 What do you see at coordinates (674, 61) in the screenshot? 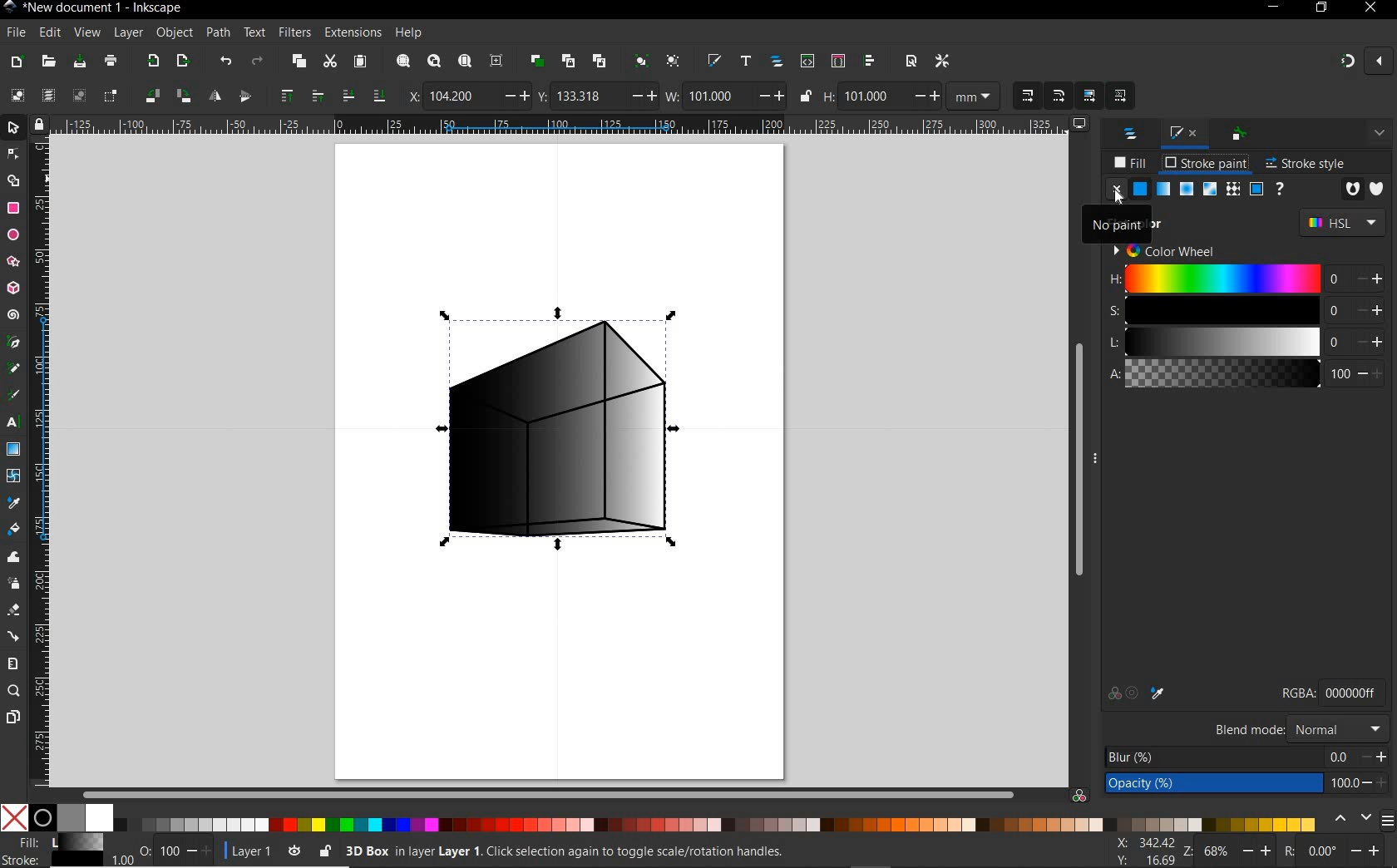
I see `UNGROUP` at bounding box center [674, 61].